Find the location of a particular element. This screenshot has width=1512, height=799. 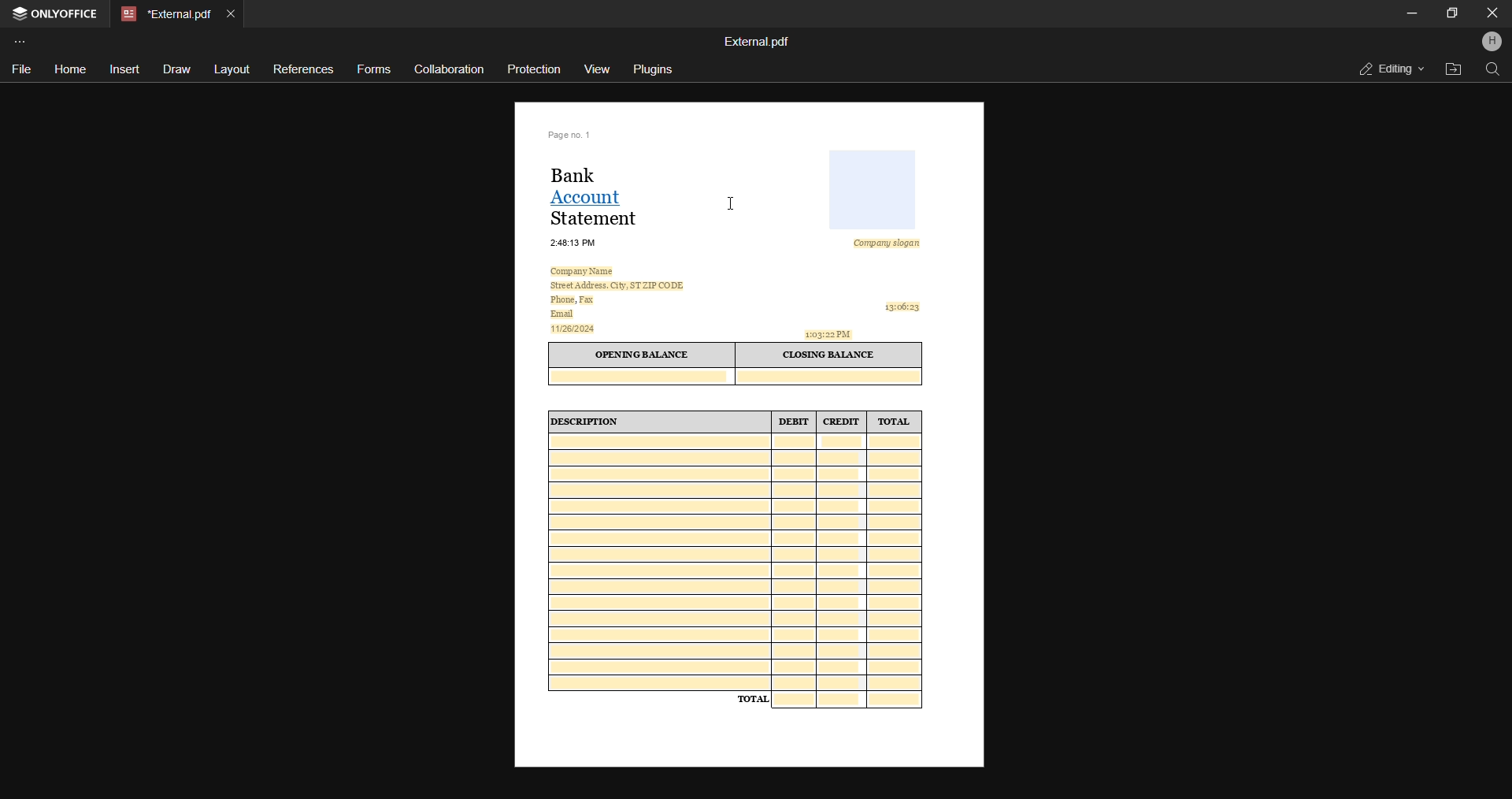

home is located at coordinates (69, 70).